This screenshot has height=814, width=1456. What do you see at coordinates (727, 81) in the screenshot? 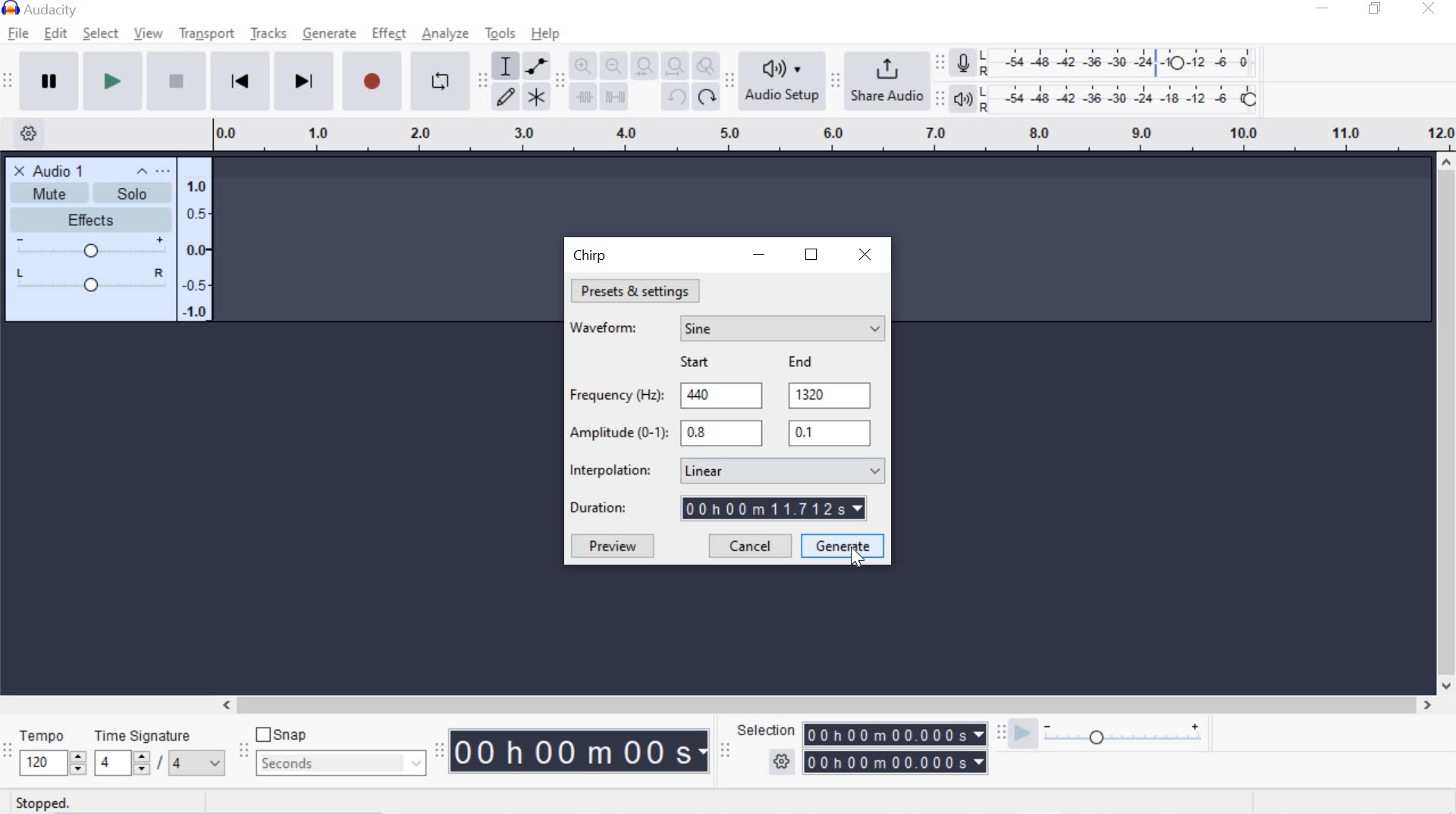
I see `Audio setup toolbar` at bounding box center [727, 81].